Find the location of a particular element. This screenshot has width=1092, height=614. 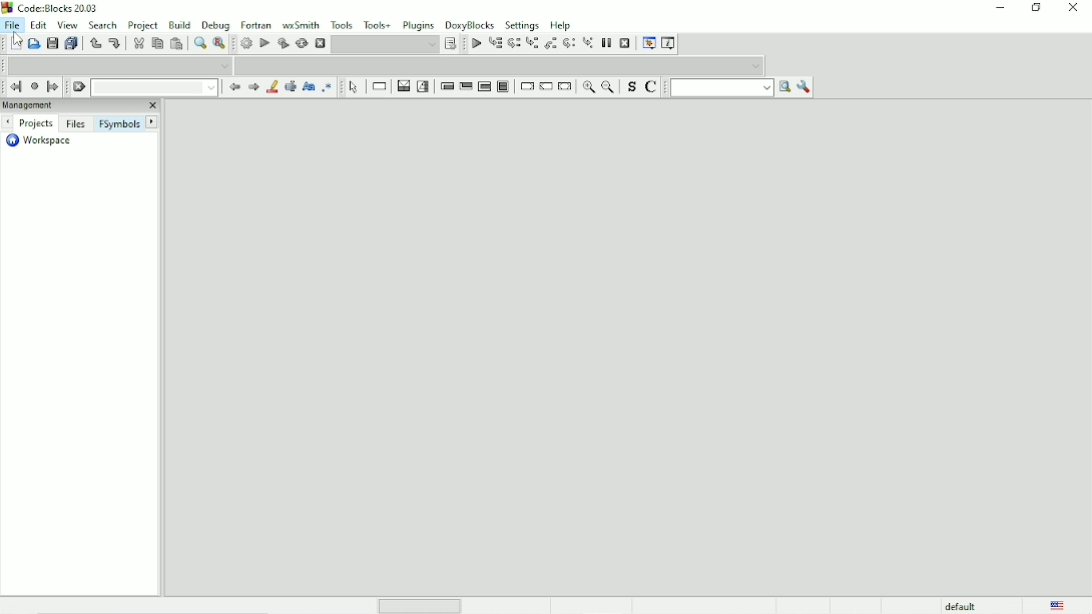

Find is located at coordinates (199, 44).